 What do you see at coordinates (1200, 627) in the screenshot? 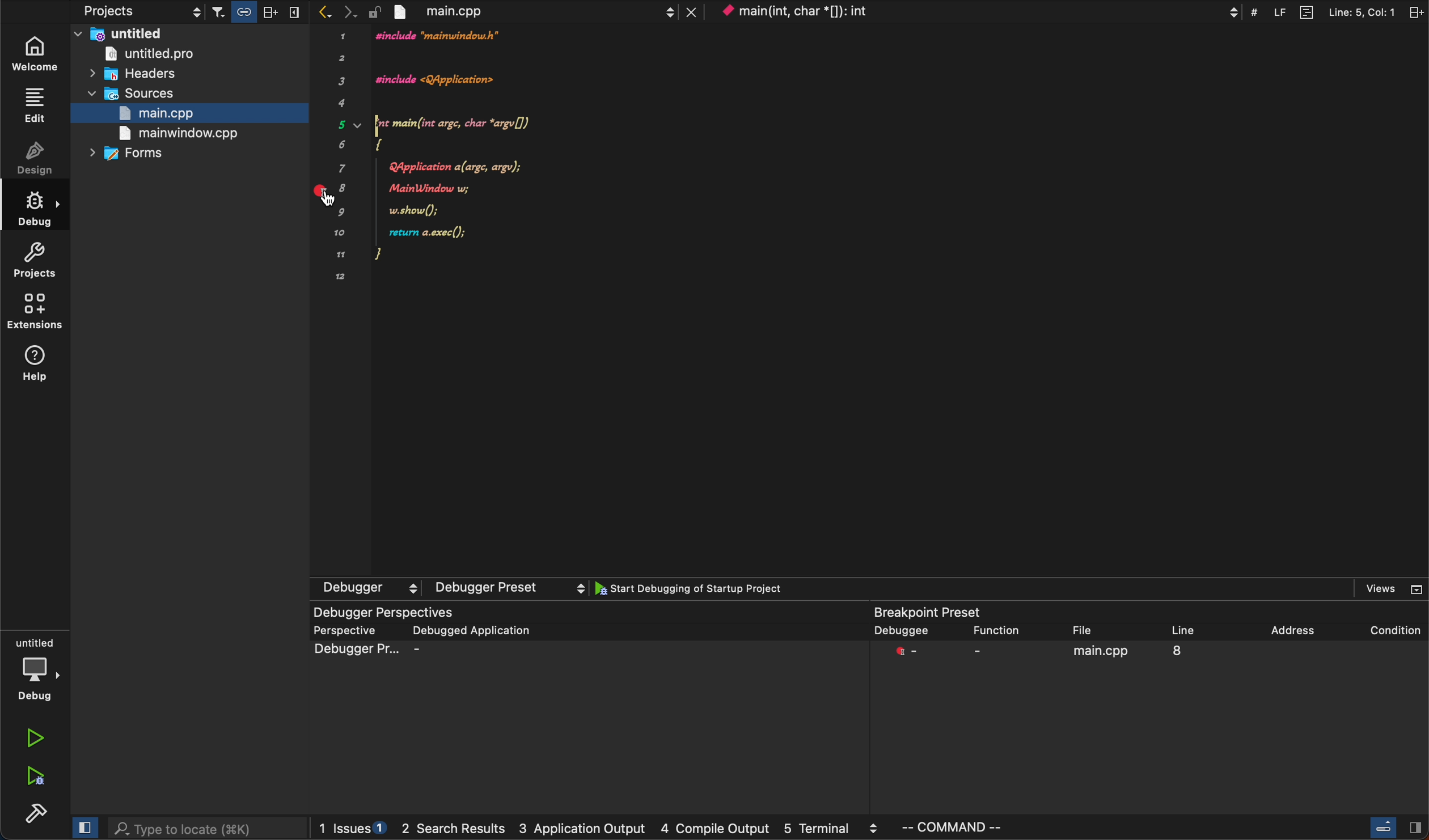
I see `line` at bounding box center [1200, 627].